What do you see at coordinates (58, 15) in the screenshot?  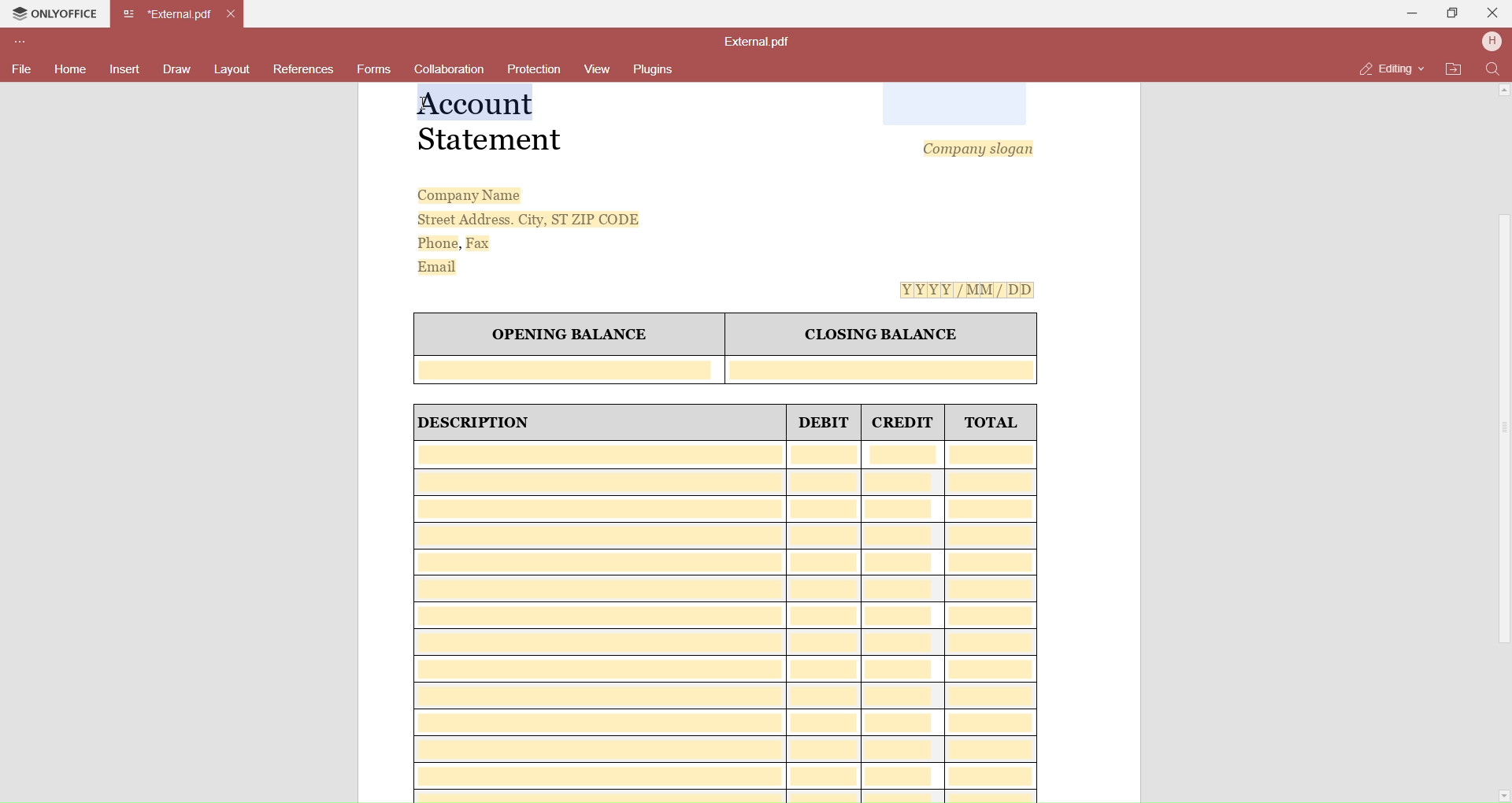 I see `Onlyoffice Tab` at bounding box center [58, 15].